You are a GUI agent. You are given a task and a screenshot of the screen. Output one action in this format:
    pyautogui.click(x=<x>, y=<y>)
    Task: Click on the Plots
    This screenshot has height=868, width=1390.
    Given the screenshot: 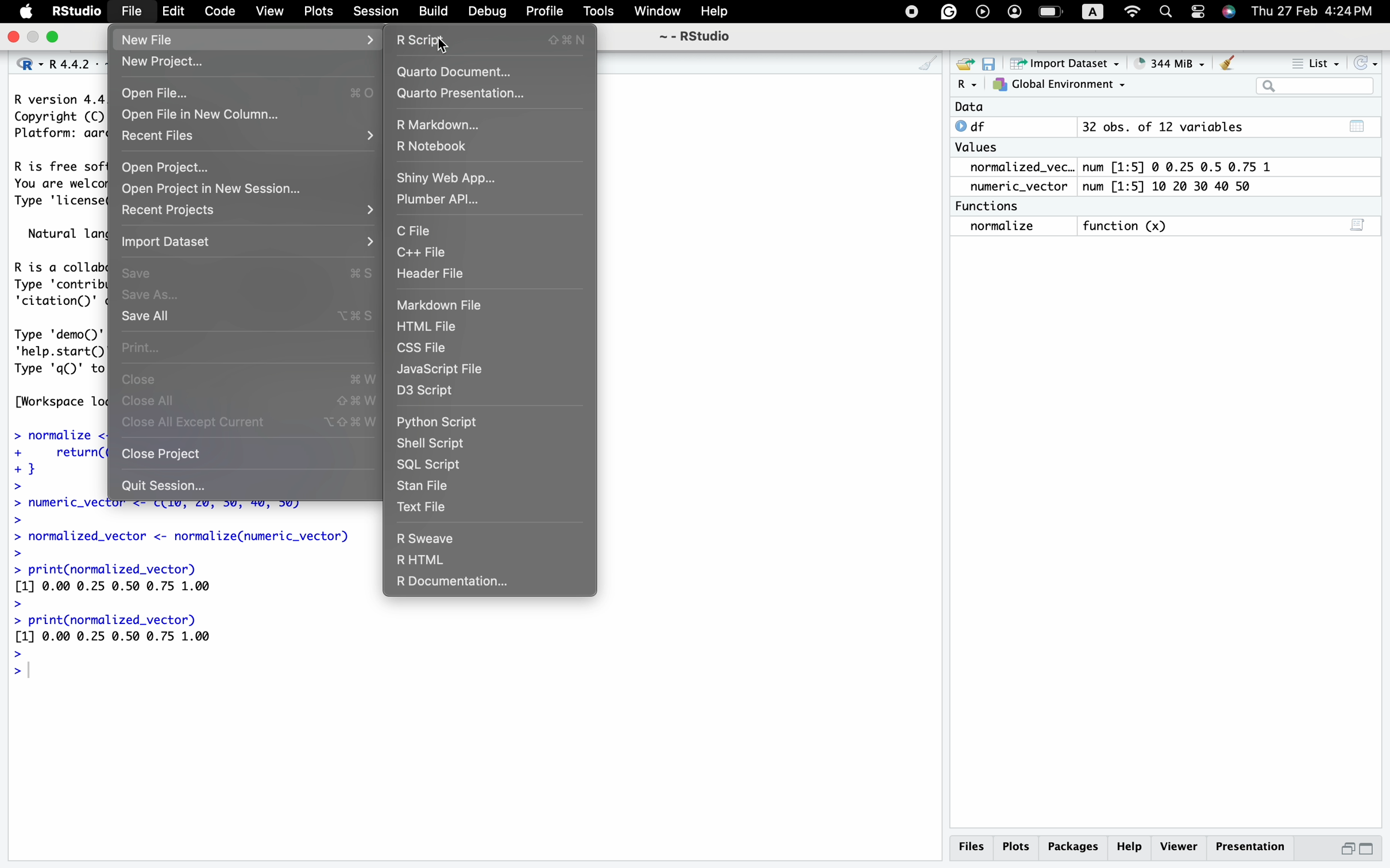 What is the action you would take?
    pyautogui.click(x=1018, y=849)
    